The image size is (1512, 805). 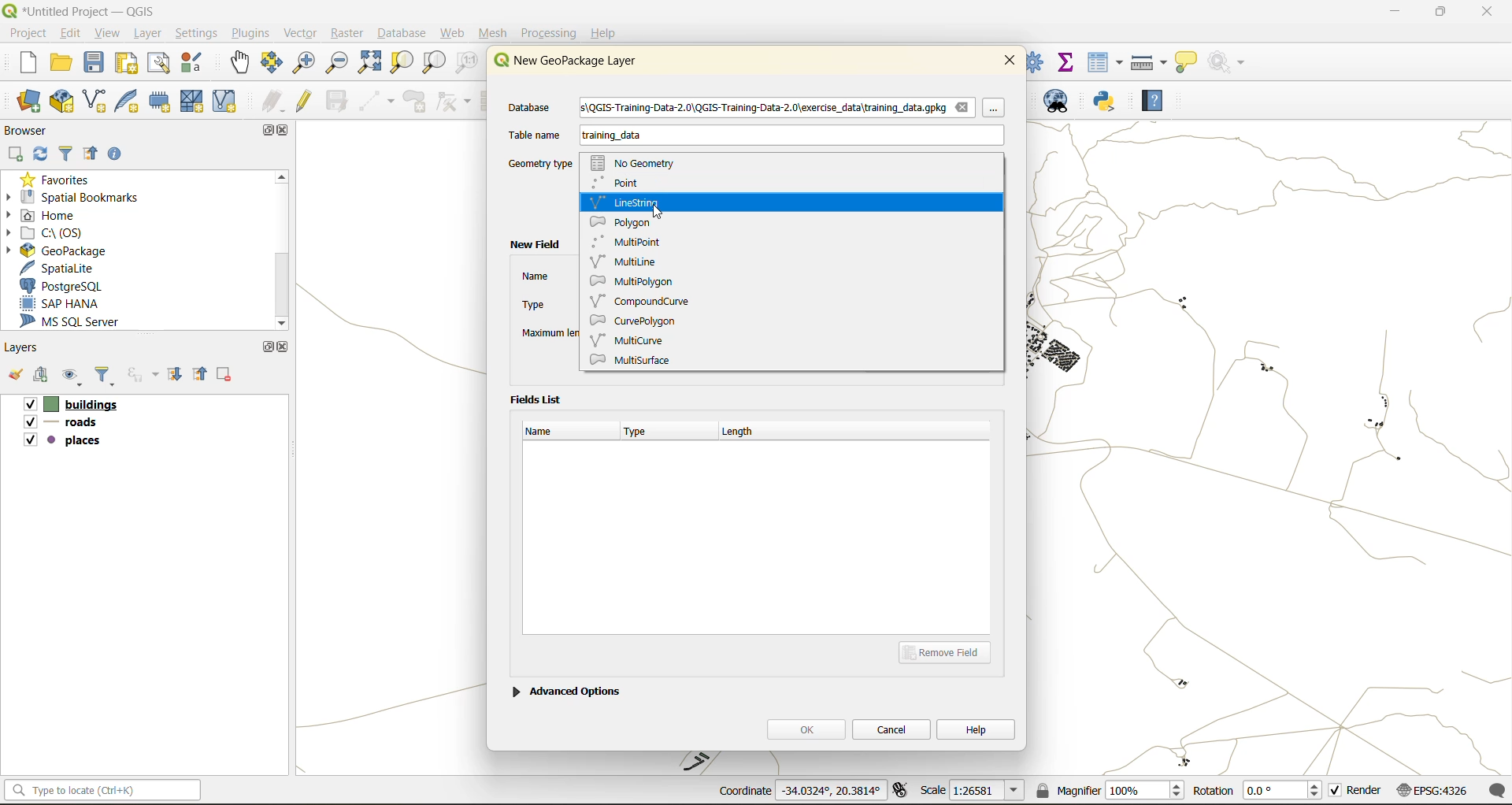 What do you see at coordinates (535, 135) in the screenshot?
I see `table name` at bounding box center [535, 135].